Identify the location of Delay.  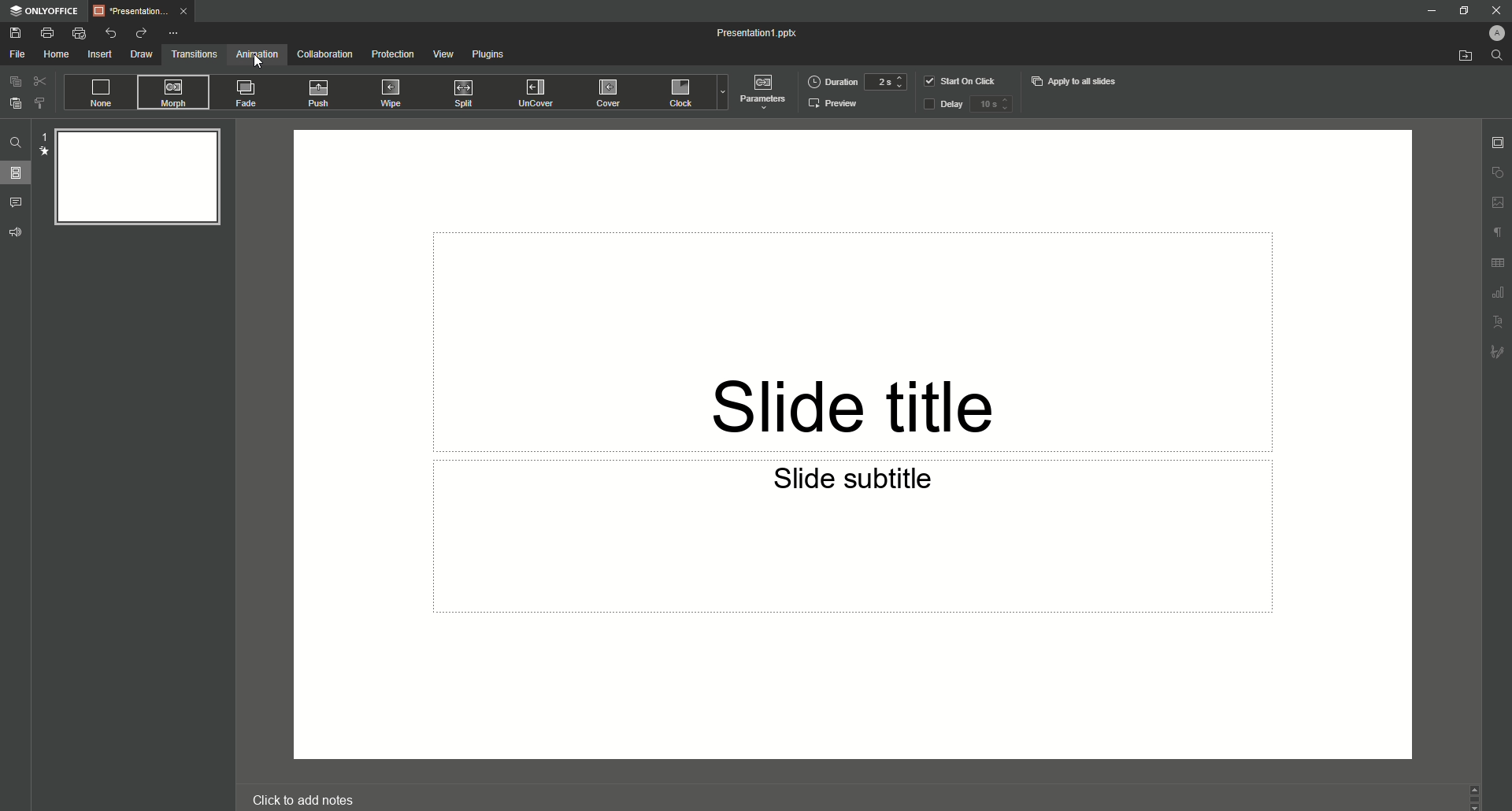
(968, 105).